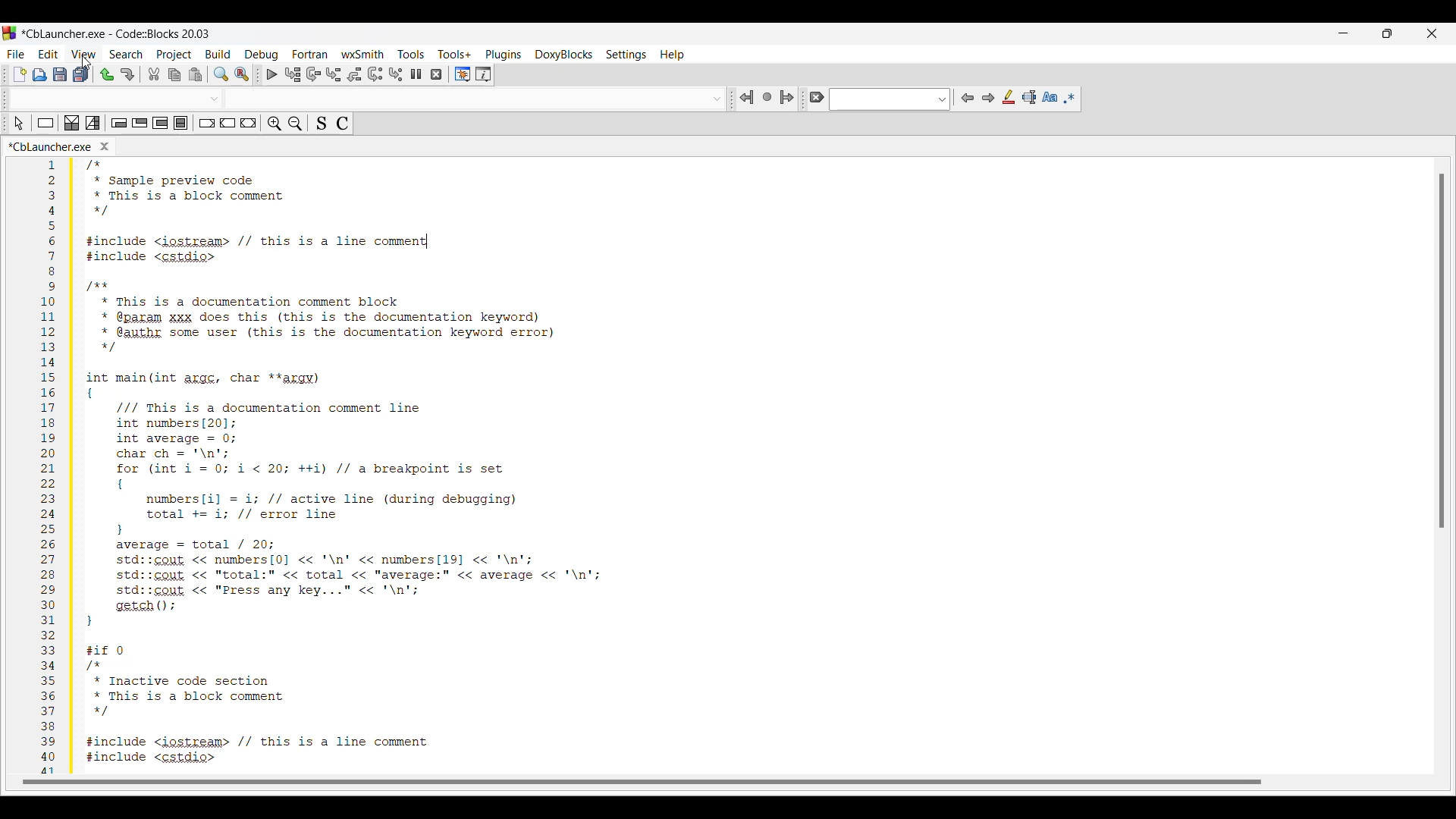 The height and width of the screenshot is (819, 1456). I want to click on Show interface in smaller tab, so click(1387, 33).